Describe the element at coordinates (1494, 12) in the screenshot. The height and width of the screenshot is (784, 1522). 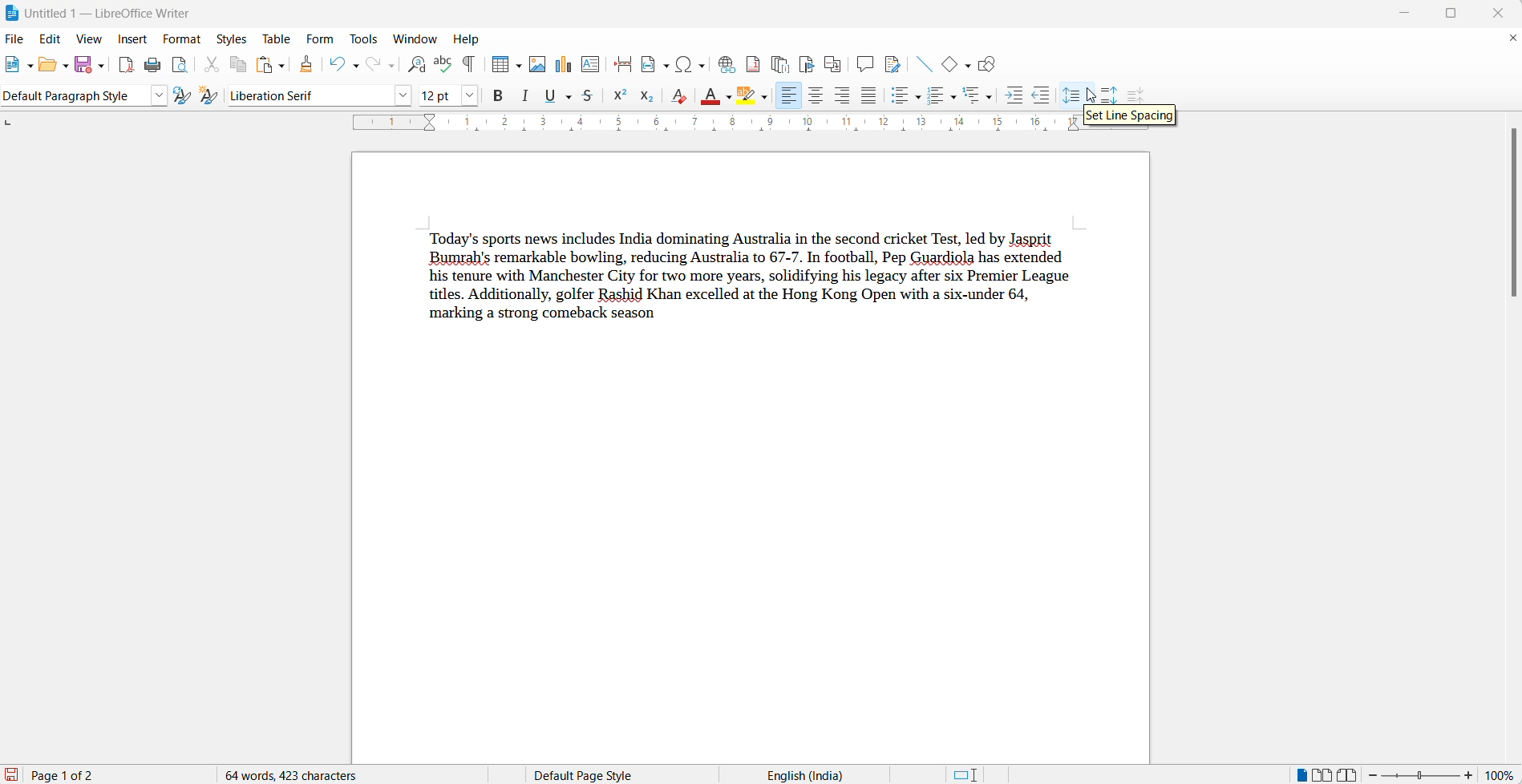
I see `close` at that location.